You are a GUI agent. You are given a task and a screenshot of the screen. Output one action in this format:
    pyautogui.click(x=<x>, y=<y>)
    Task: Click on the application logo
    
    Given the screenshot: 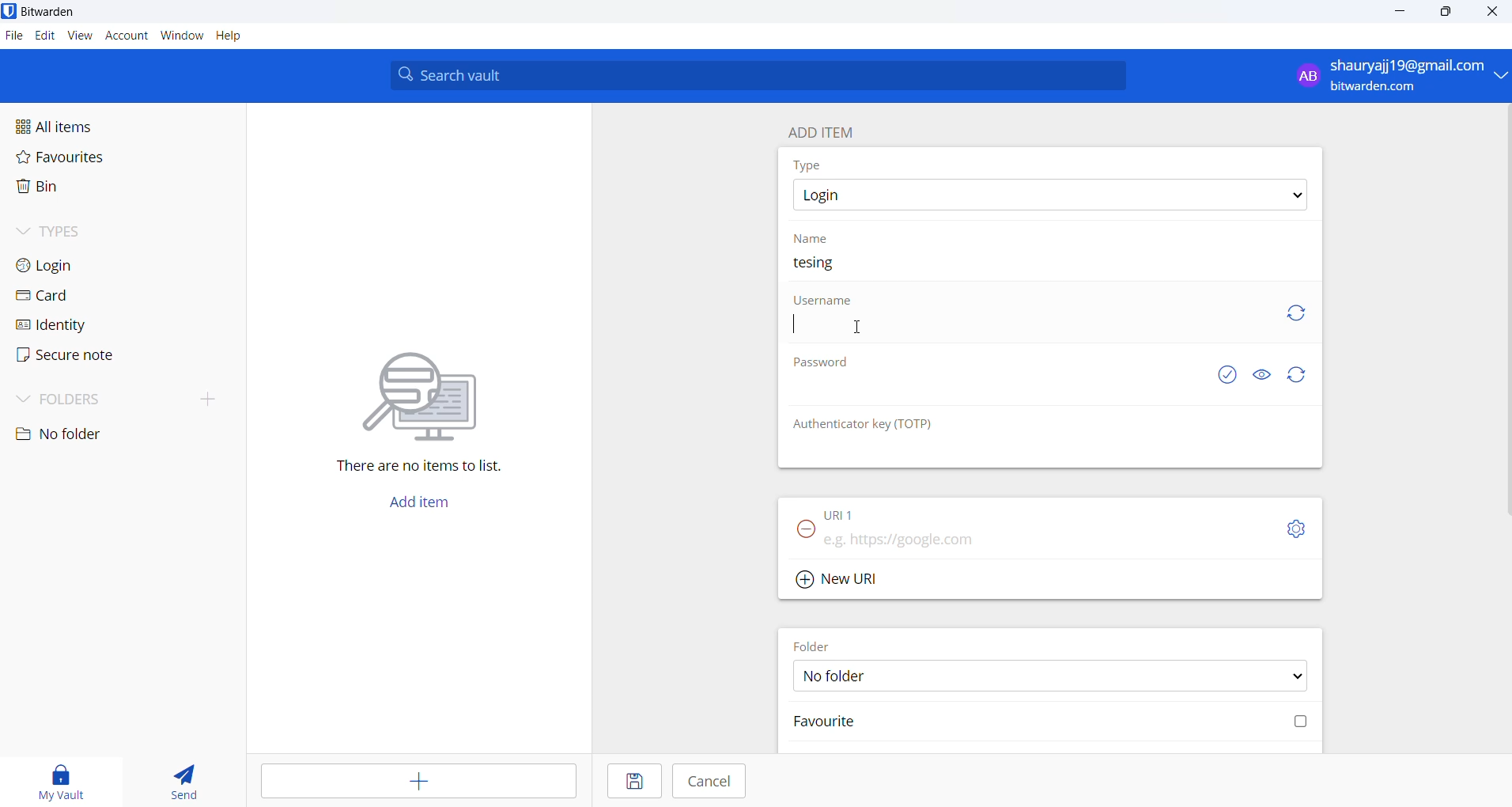 What is the action you would take?
    pyautogui.click(x=10, y=11)
    